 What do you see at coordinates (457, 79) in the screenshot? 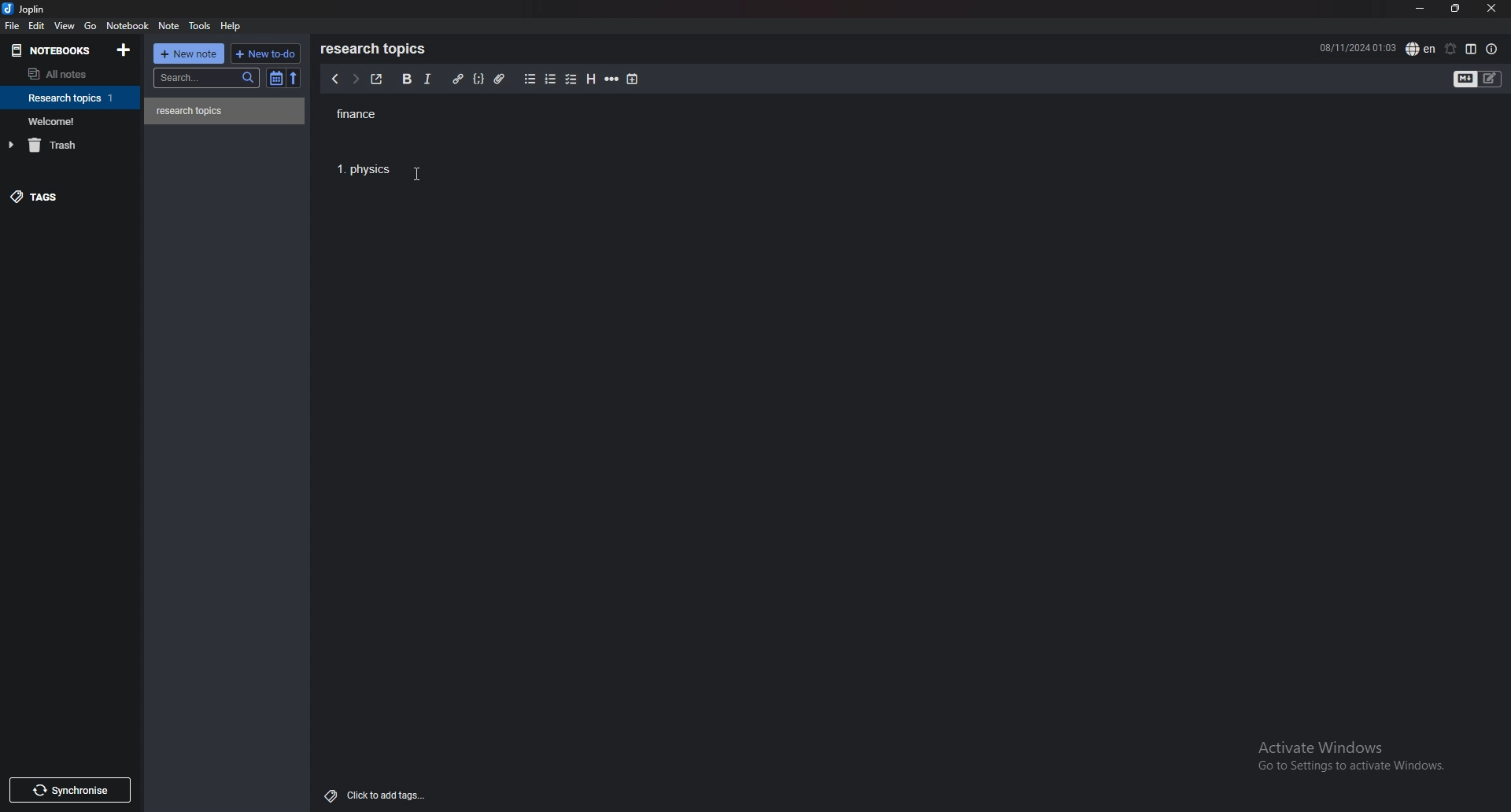
I see `hyperlink` at bounding box center [457, 79].